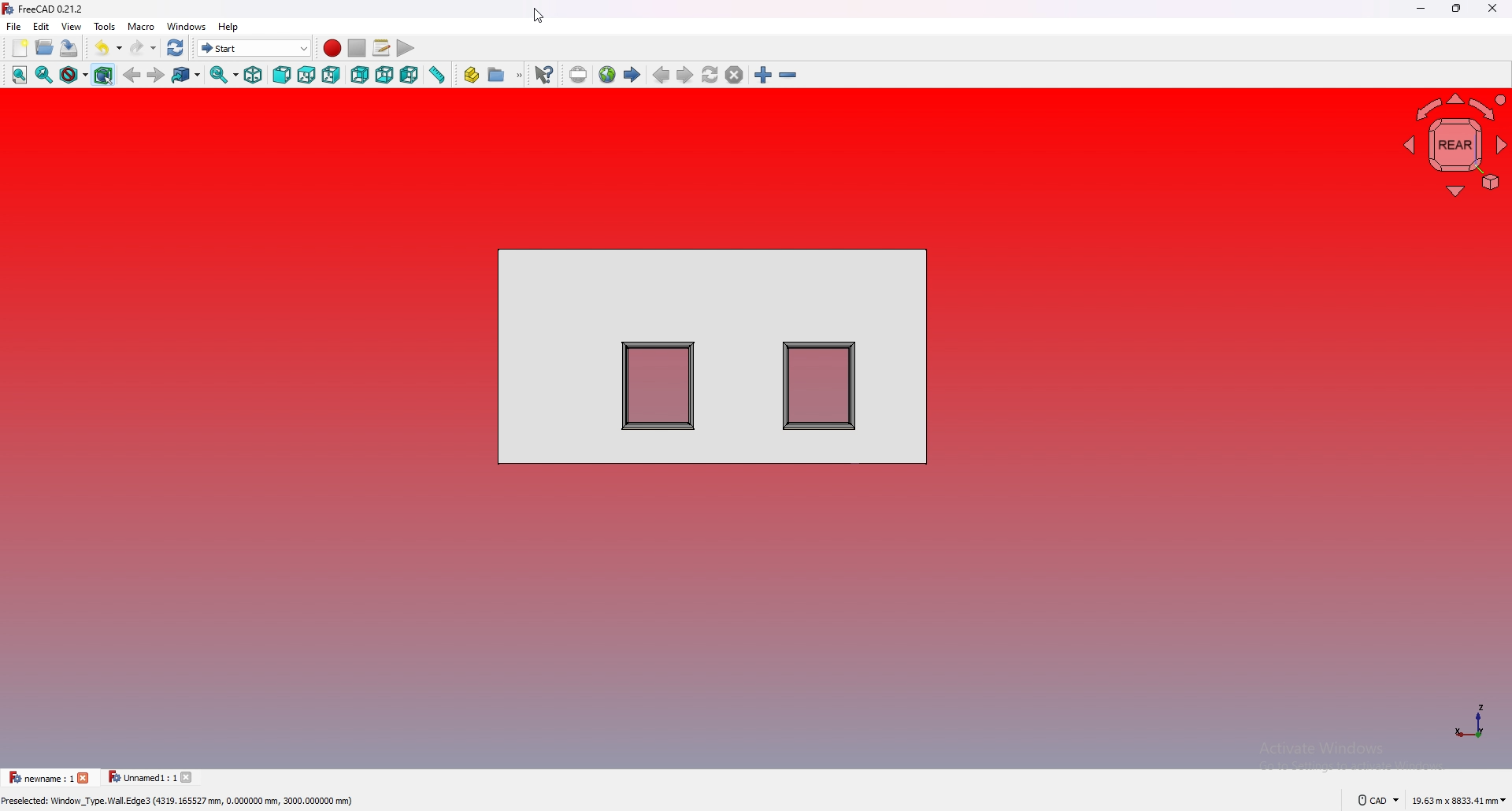 The width and height of the screenshot is (1512, 811). What do you see at coordinates (332, 49) in the screenshot?
I see `record macro` at bounding box center [332, 49].